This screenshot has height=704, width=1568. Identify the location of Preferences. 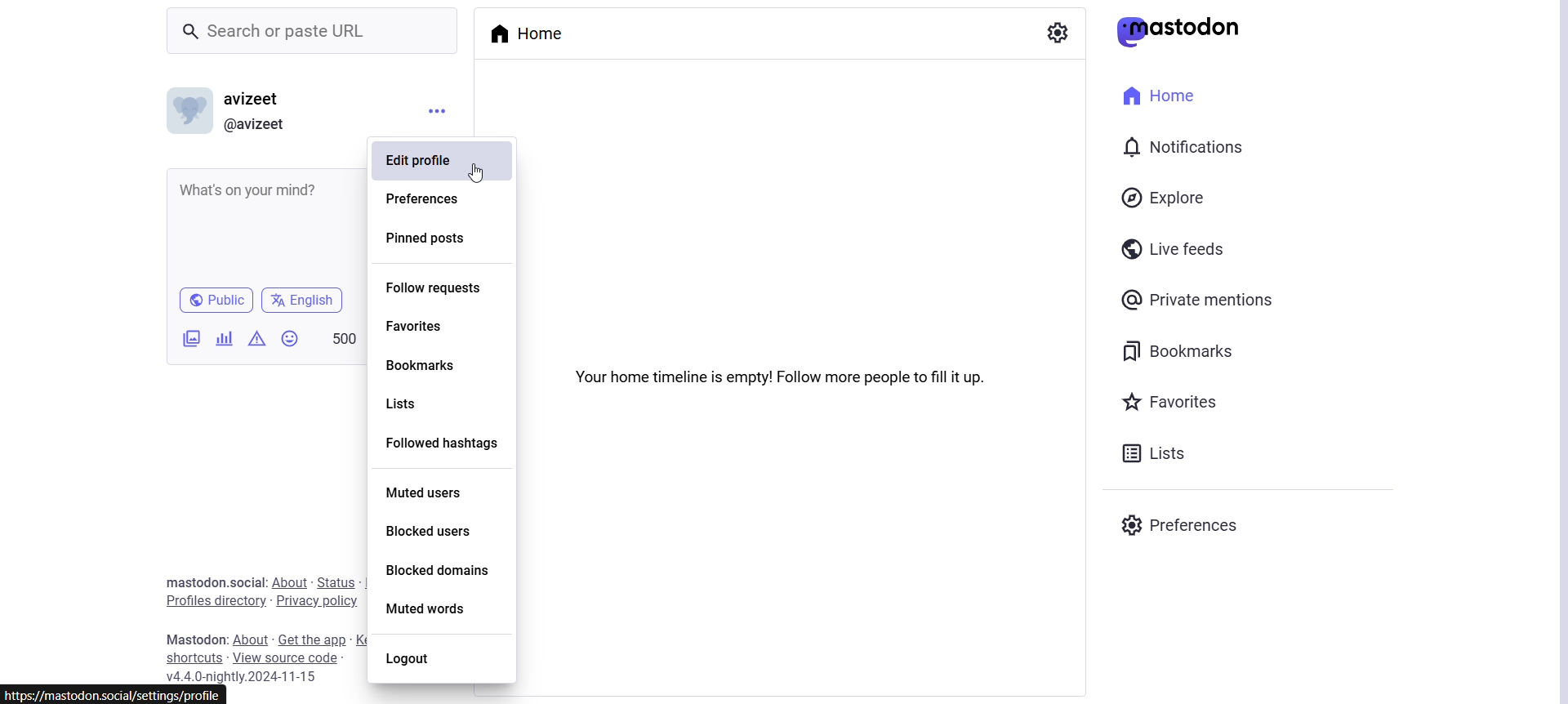
(1183, 522).